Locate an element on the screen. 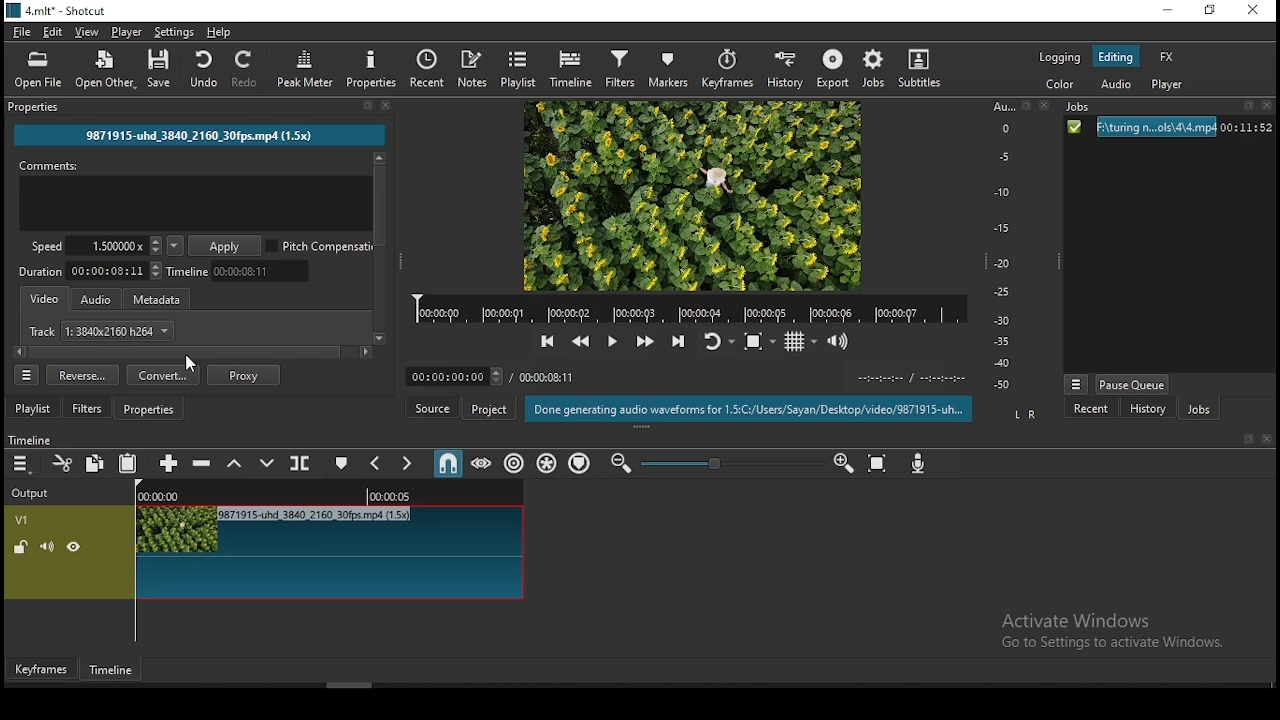 This screenshot has width=1280, height=720. lift is located at coordinates (235, 465).